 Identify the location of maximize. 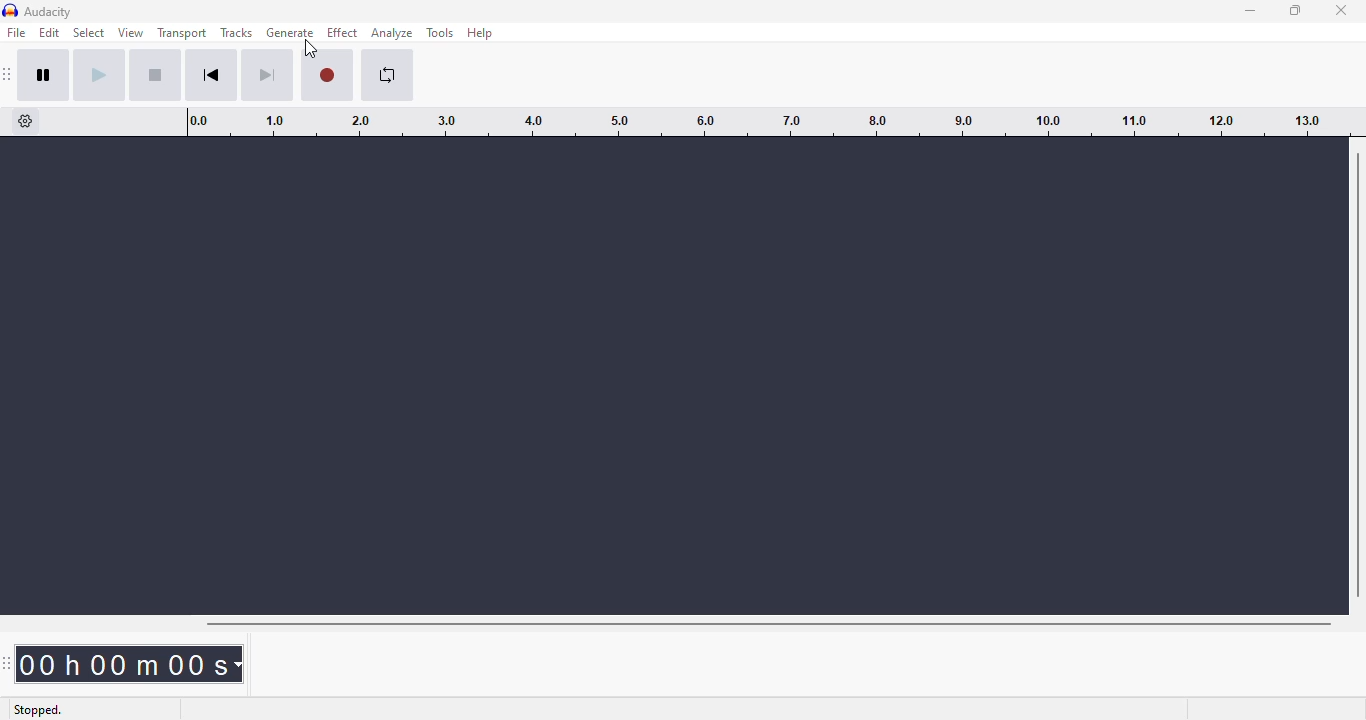
(1295, 10).